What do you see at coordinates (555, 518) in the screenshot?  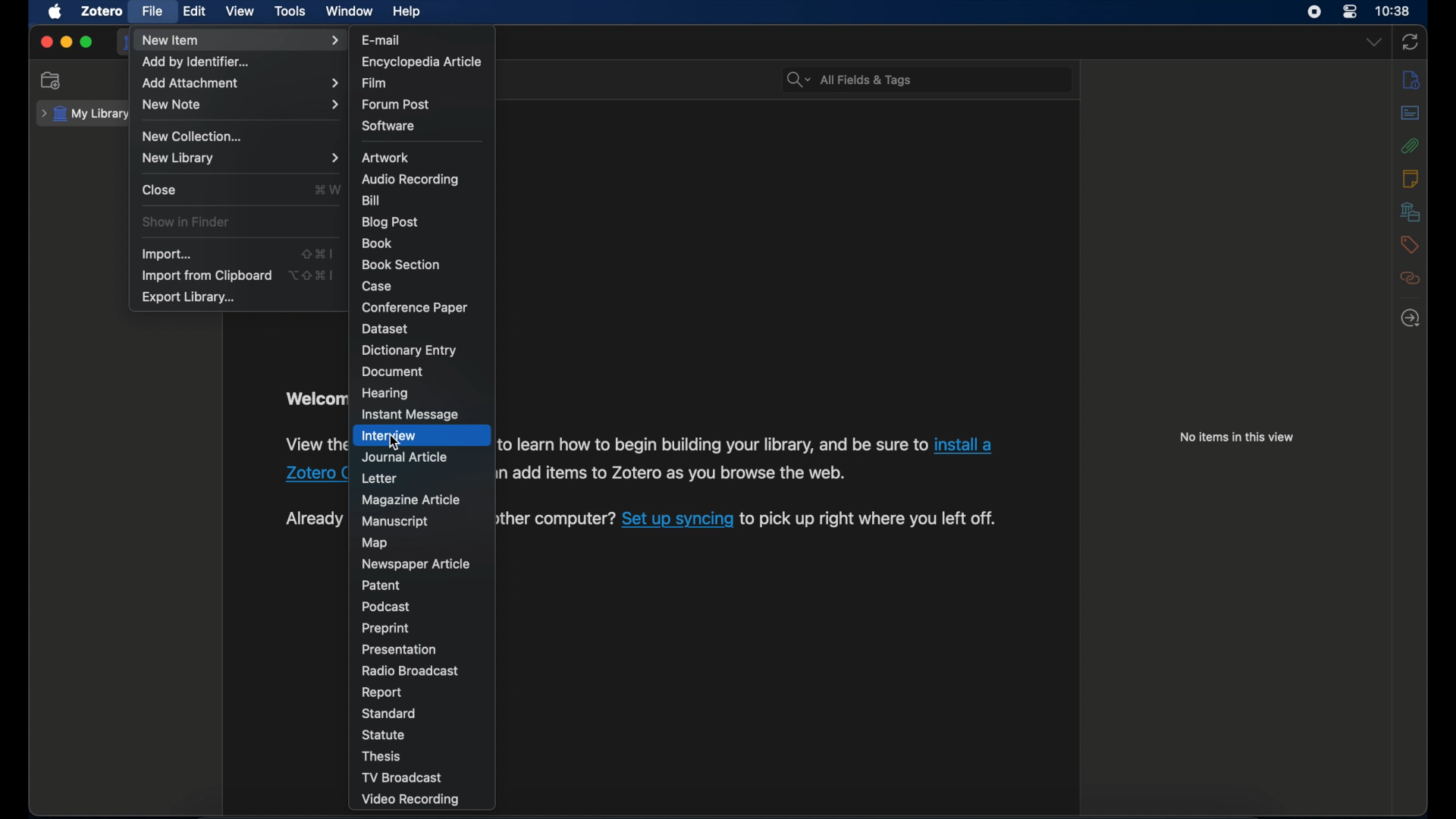 I see `another computer` at bounding box center [555, 518].